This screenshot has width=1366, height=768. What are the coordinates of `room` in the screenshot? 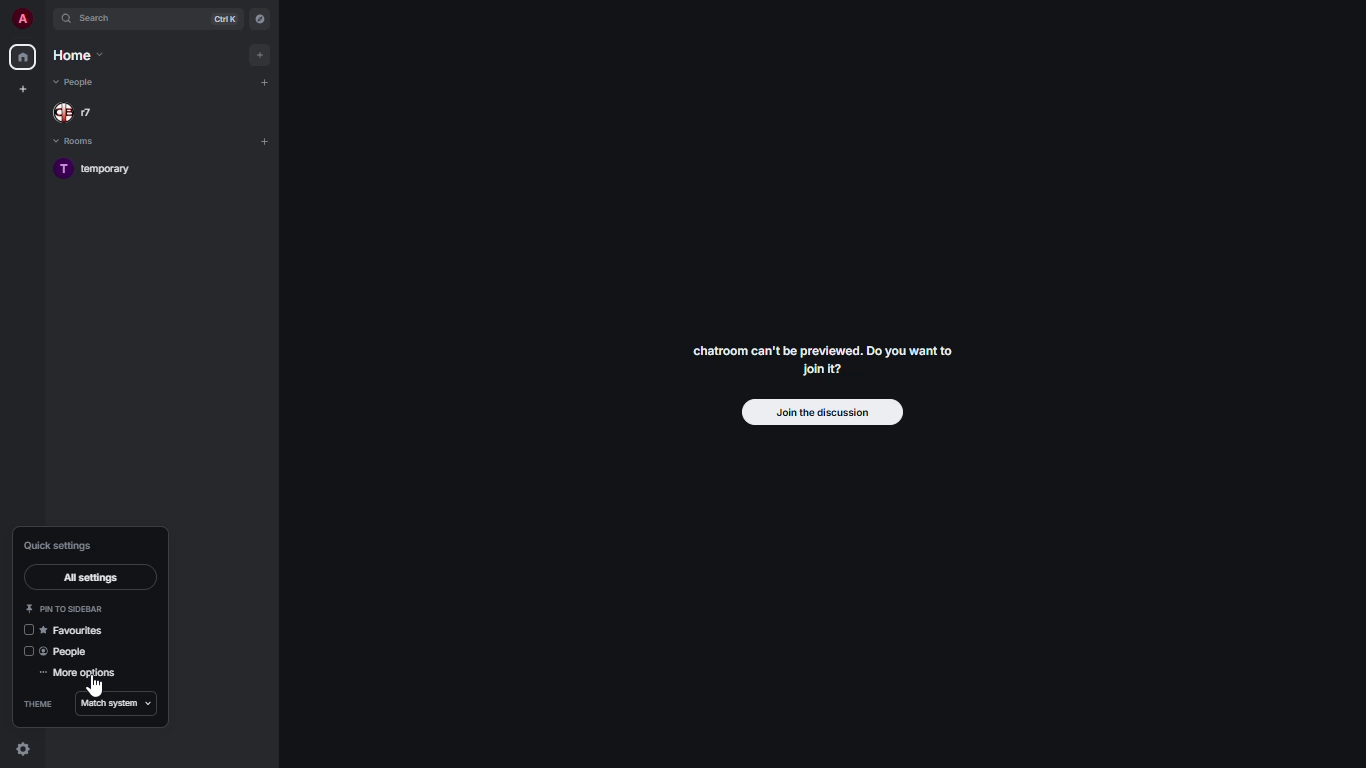 It's located at (103, 170).